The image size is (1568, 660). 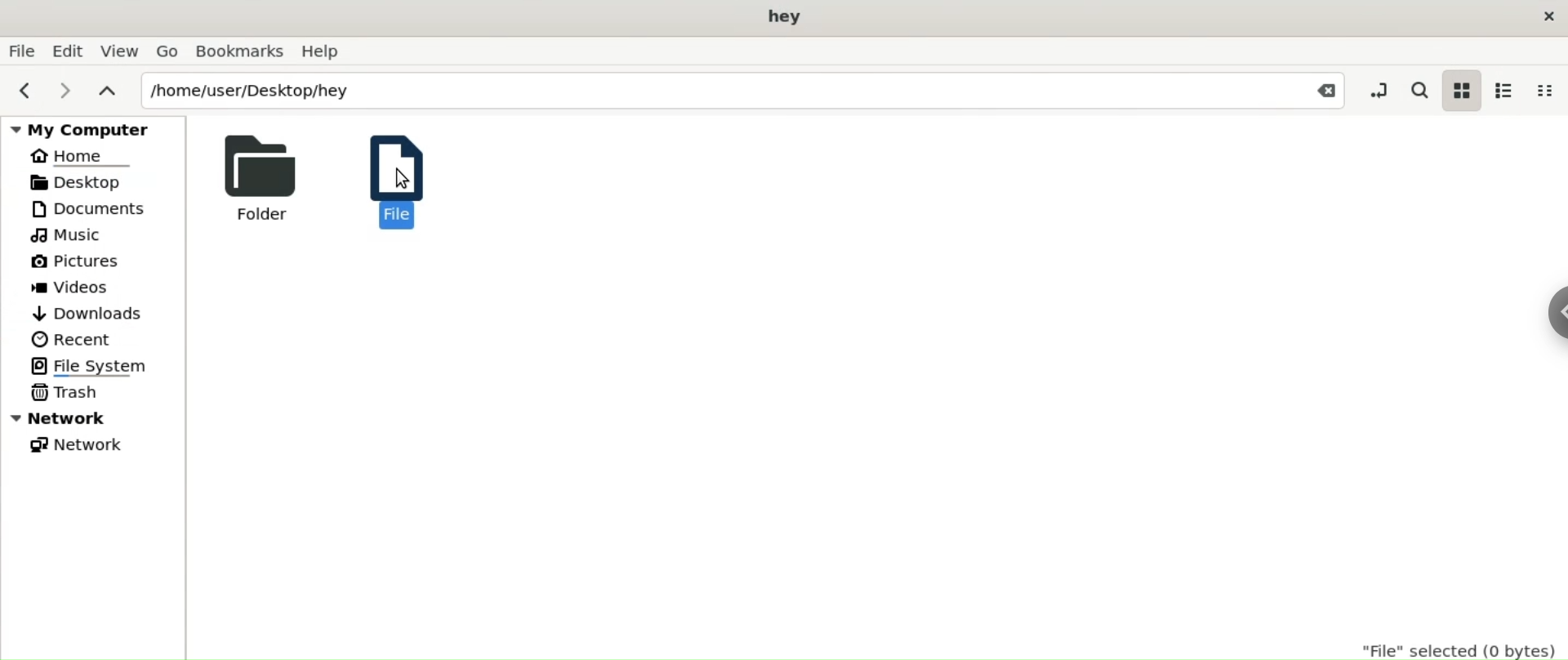 What do you see at coordinates (326, 51) in the screenshot?
I see `Help` at bounding box center [326, 51].